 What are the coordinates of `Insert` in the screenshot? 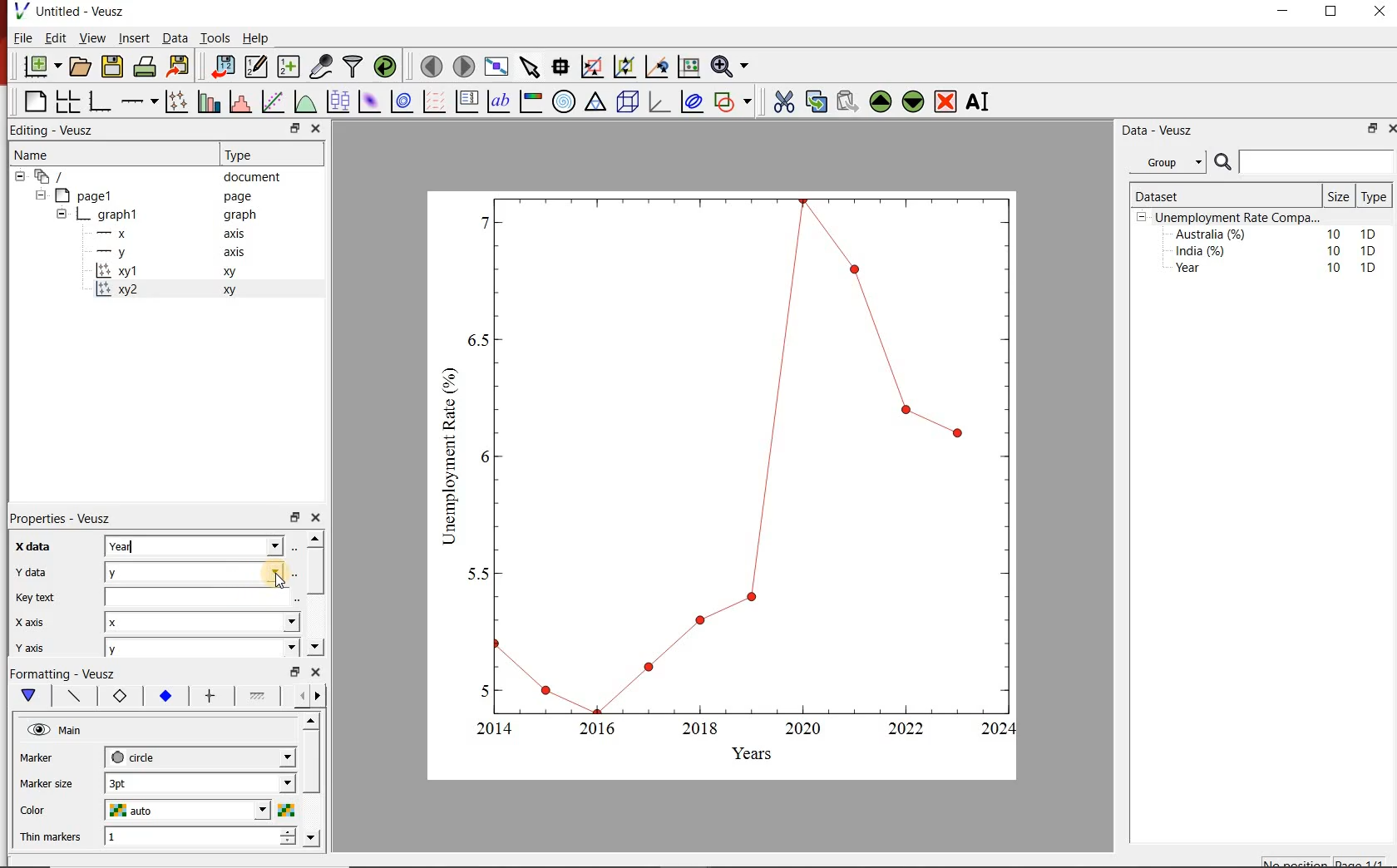 It's located at (133, 37).